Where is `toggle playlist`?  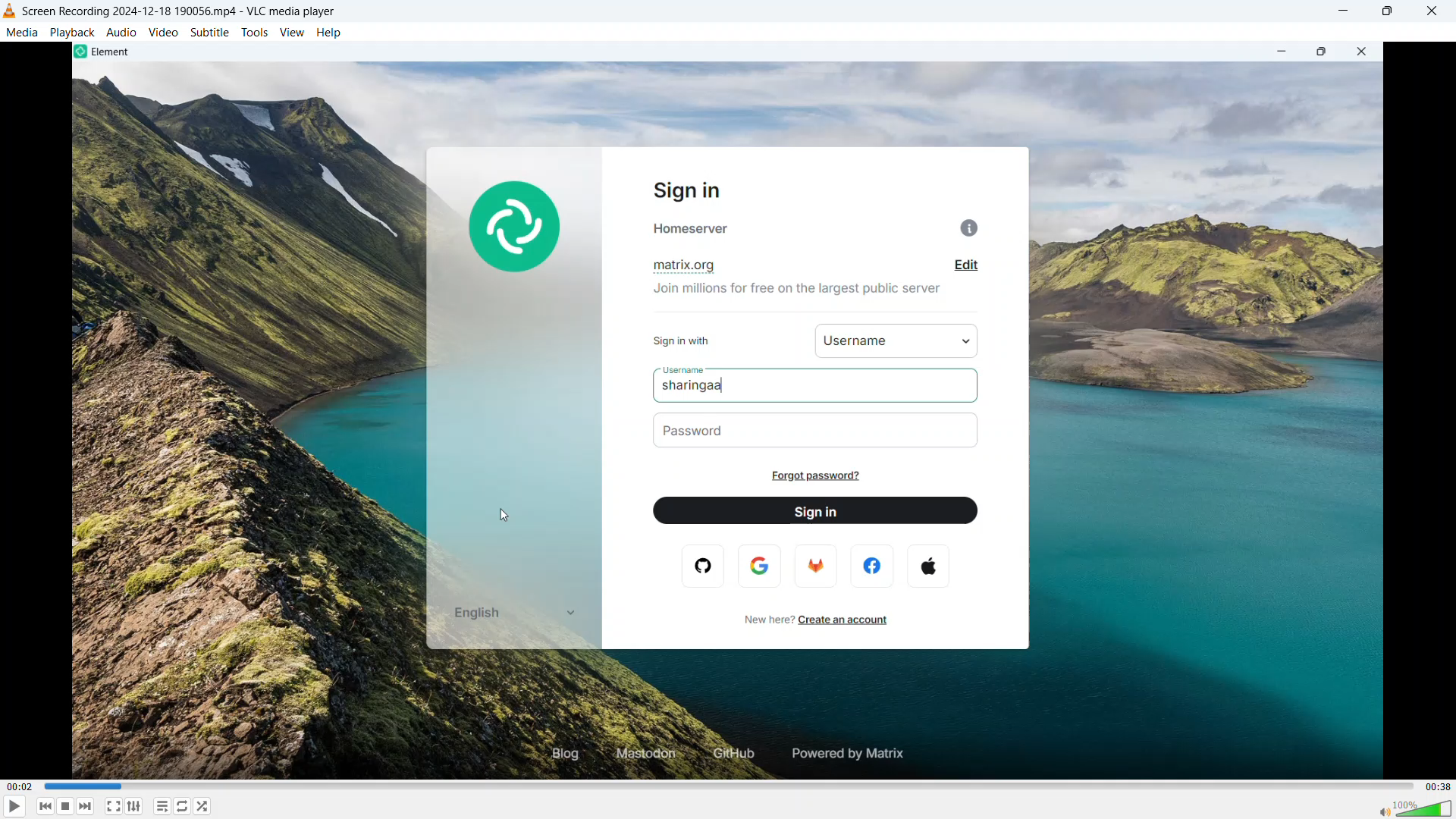
toggle playlist is located at coordinates (162, 806).